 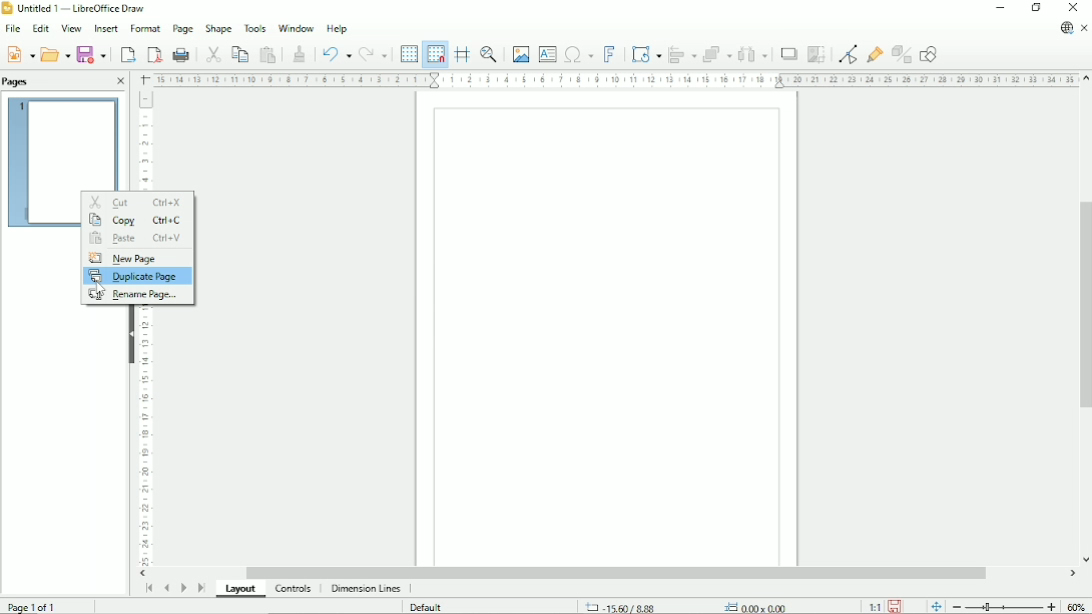 What do you see at coordinates (547, 53) in the screenshot?
I see `Insert text box` at bounding box center [547, 53].